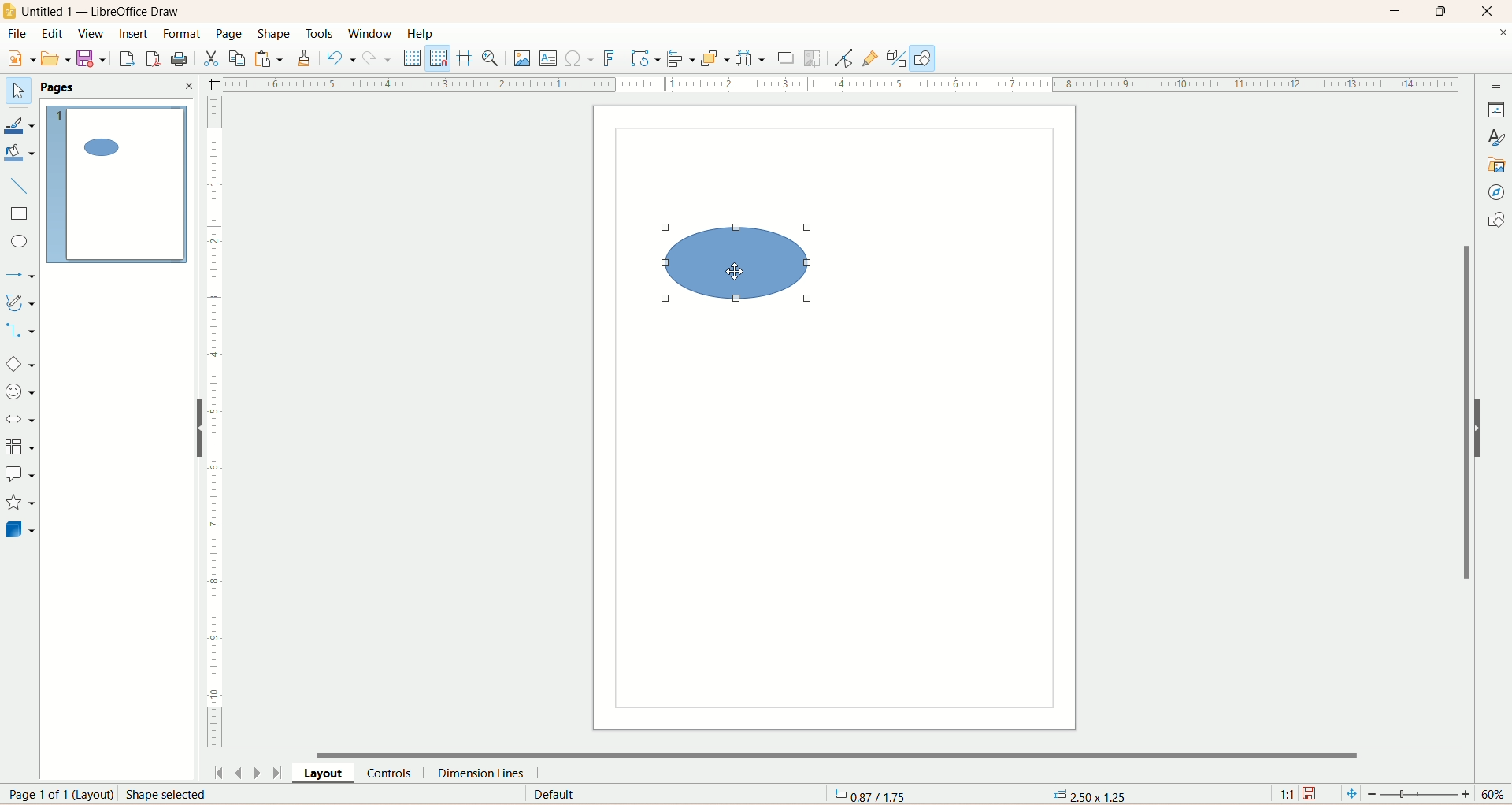 This screenshot has width=1512, height=805. Describe the element at coordinates (103, 10) in the screenshot. I see `title` at that location.